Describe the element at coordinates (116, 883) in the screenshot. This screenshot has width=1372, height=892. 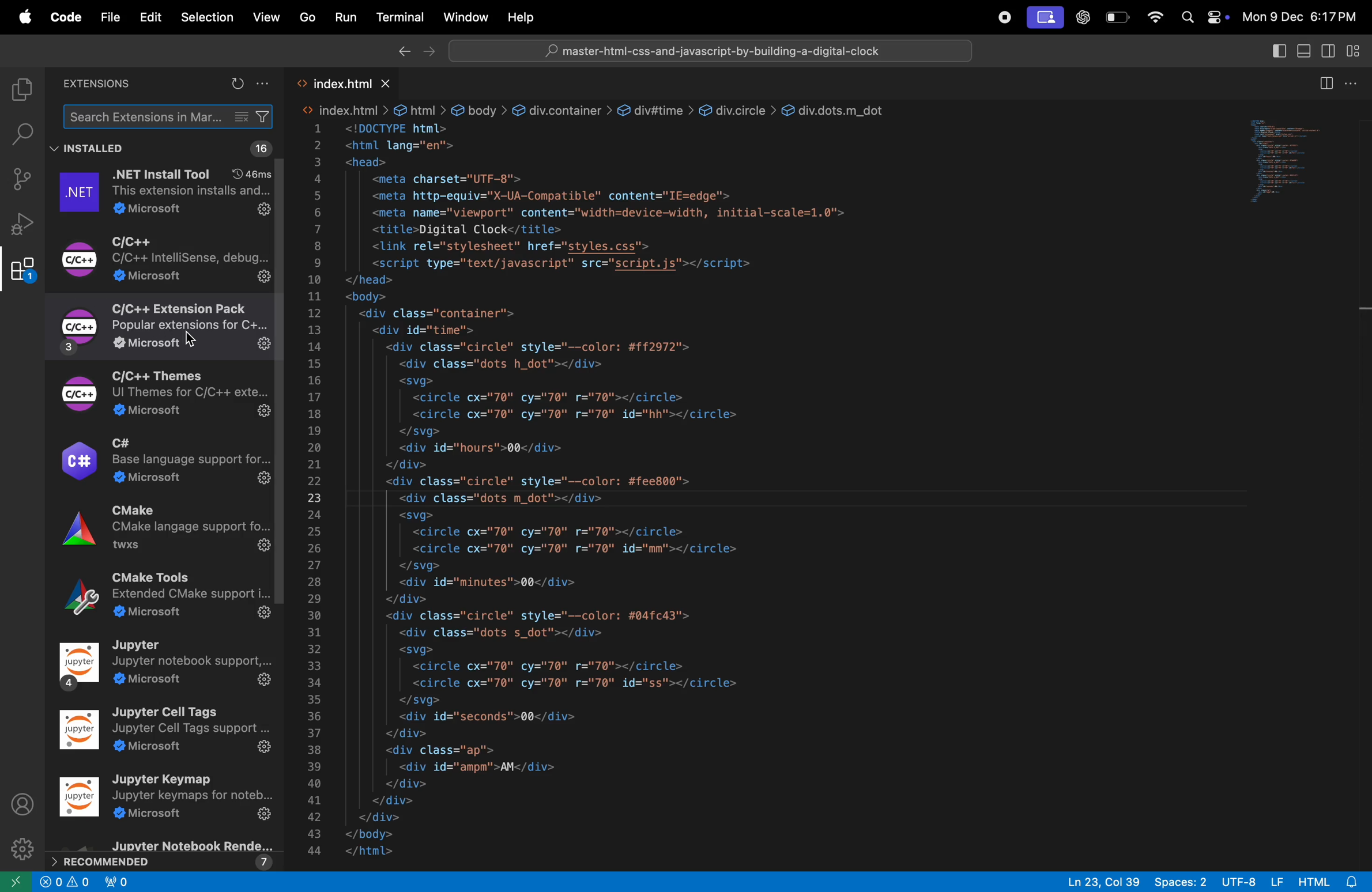
I see `alert` at that location.